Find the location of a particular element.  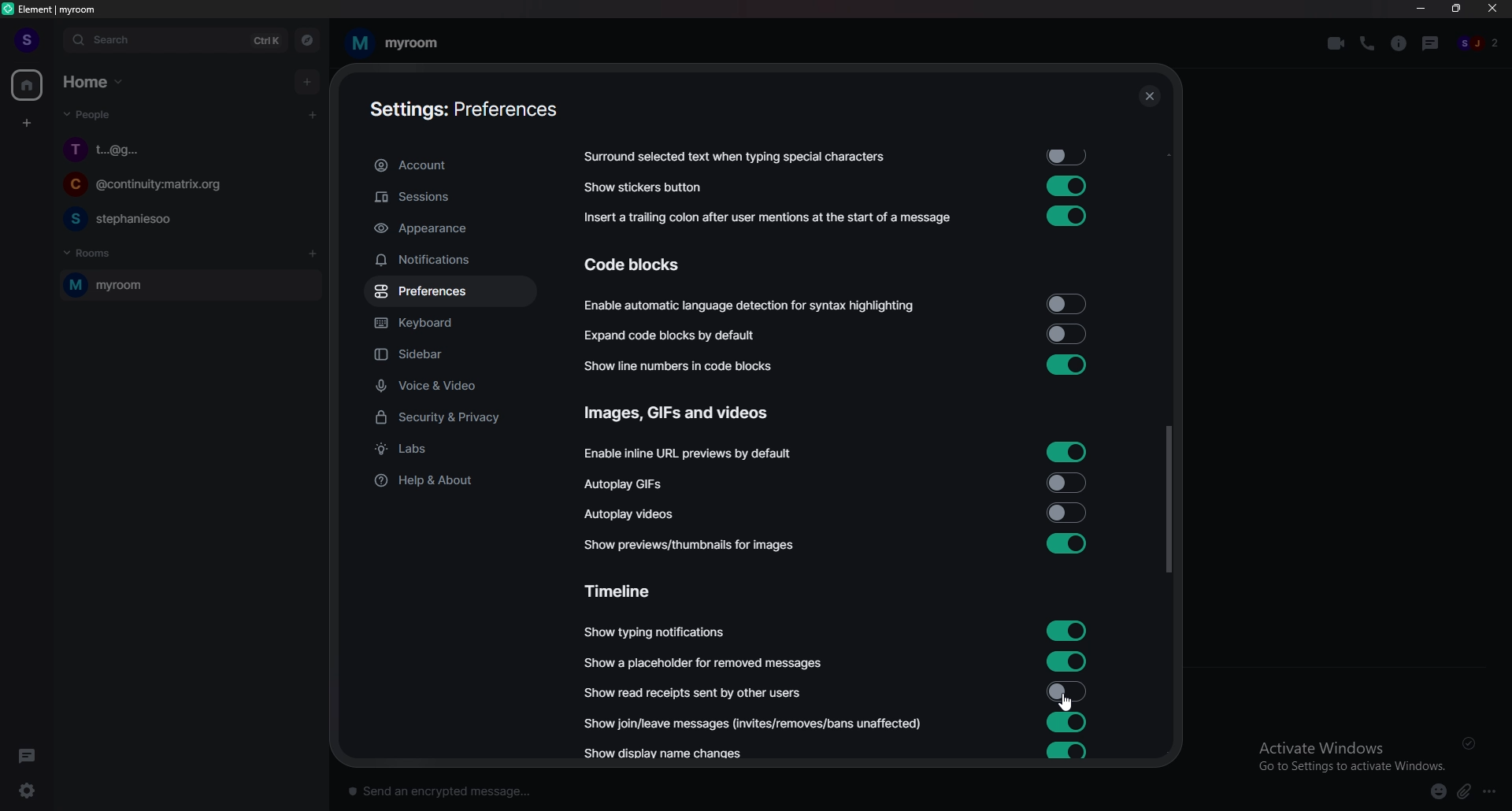

preference is located at coordinates (450, 292).